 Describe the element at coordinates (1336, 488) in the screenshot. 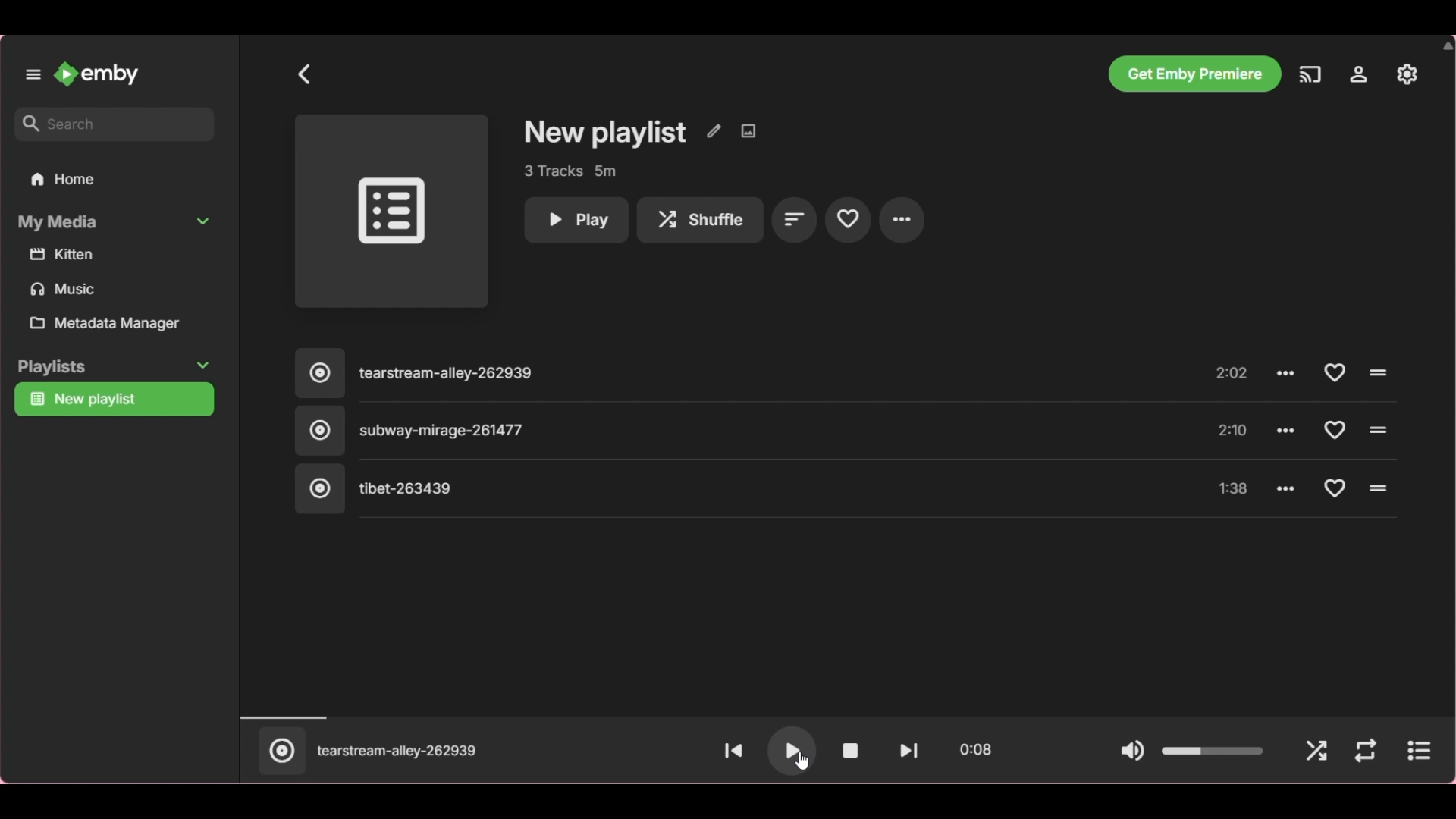

I see `Add respective song to favorites` at that location.